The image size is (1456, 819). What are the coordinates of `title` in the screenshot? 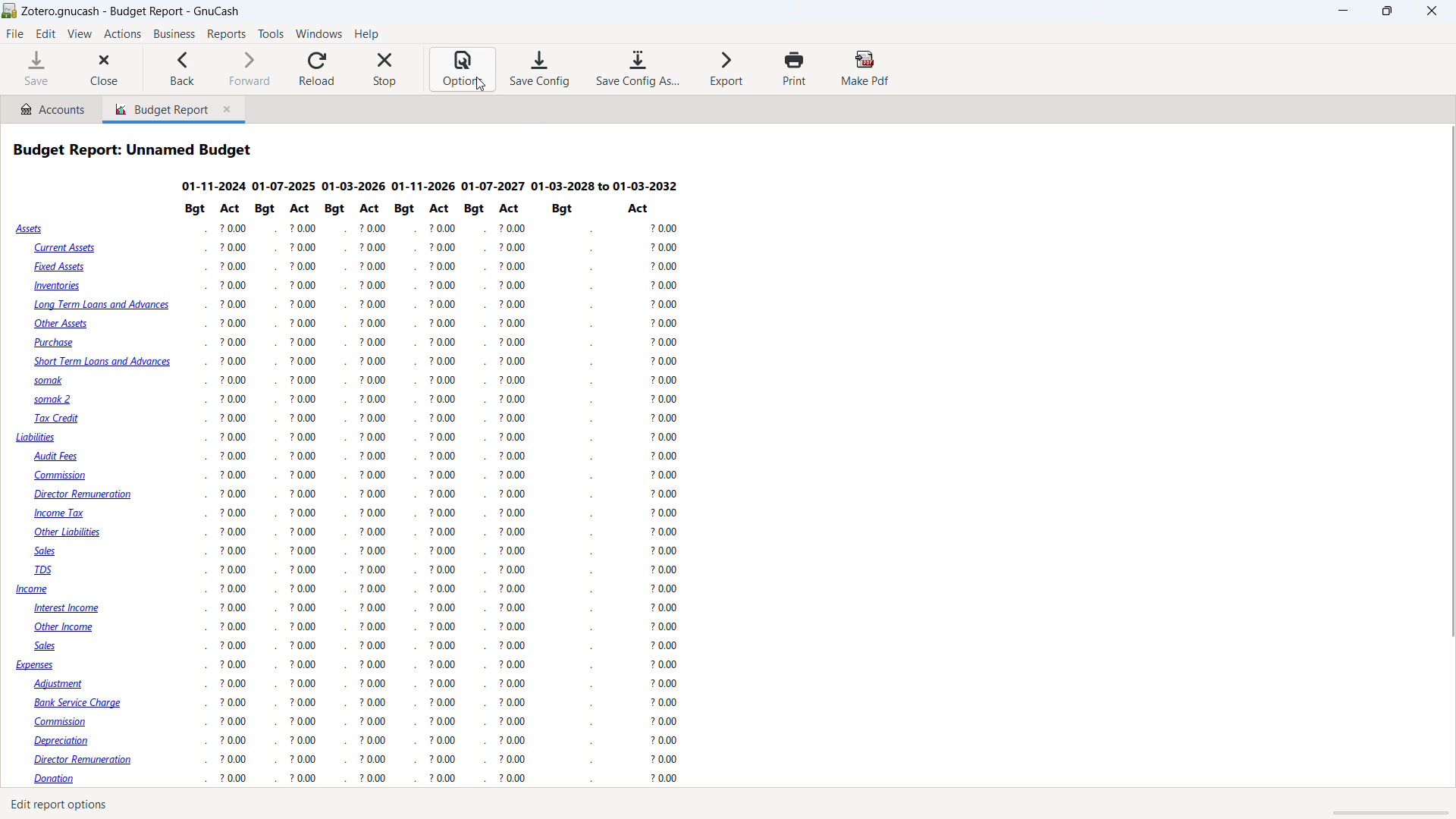 It's located at (132, 11).